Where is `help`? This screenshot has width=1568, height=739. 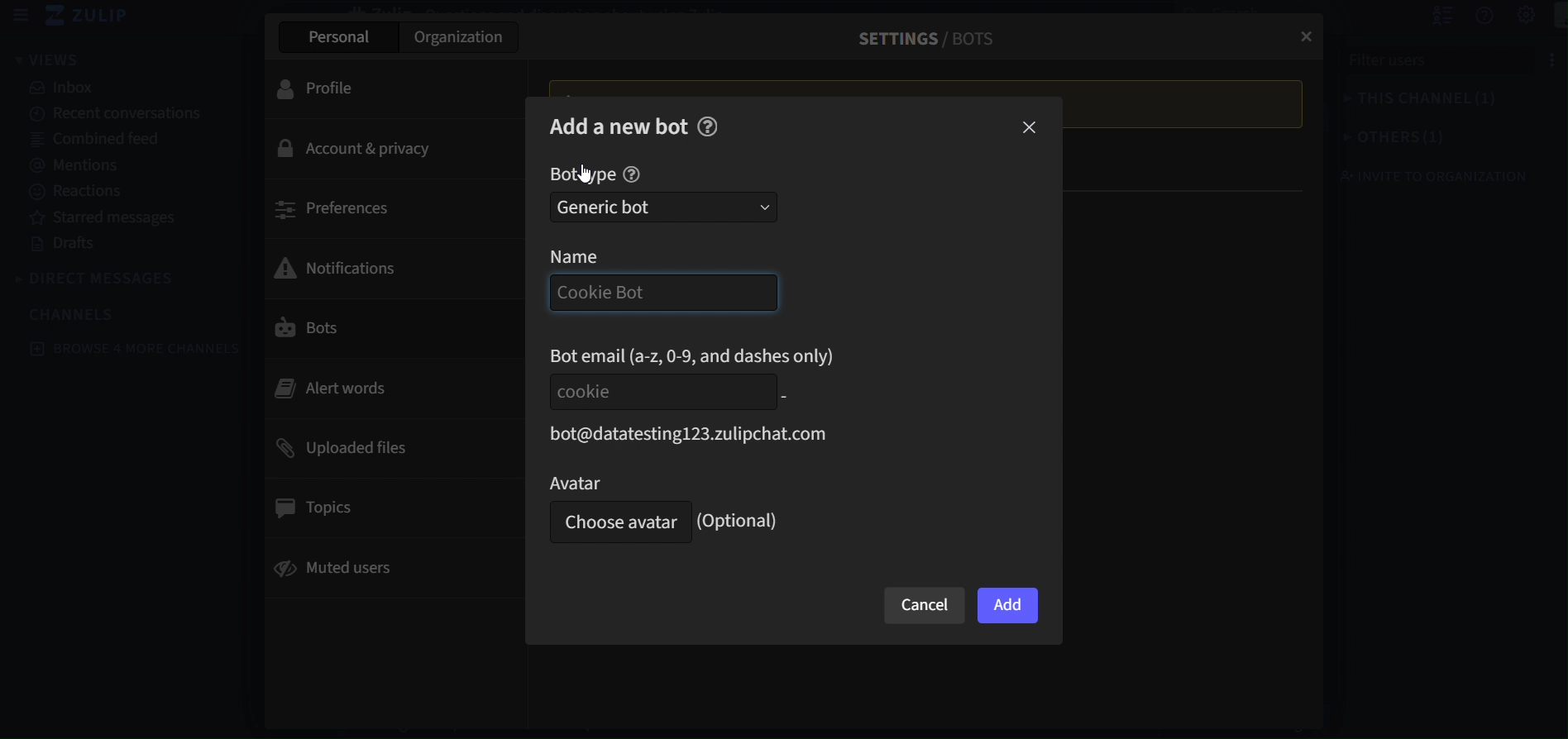 help is located at coordinates (708, 126).